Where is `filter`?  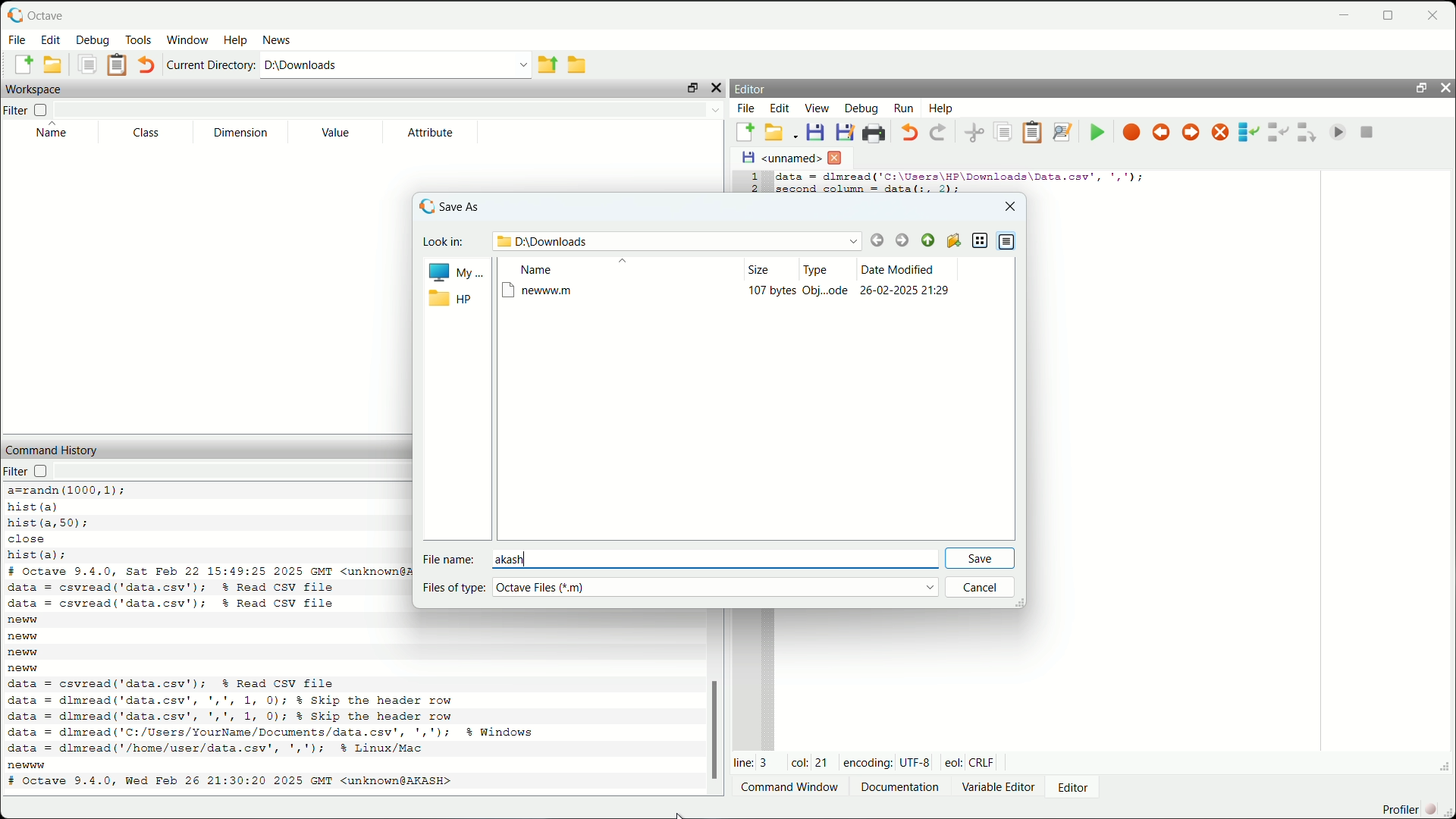
filter is located at coordinates (31, 470).